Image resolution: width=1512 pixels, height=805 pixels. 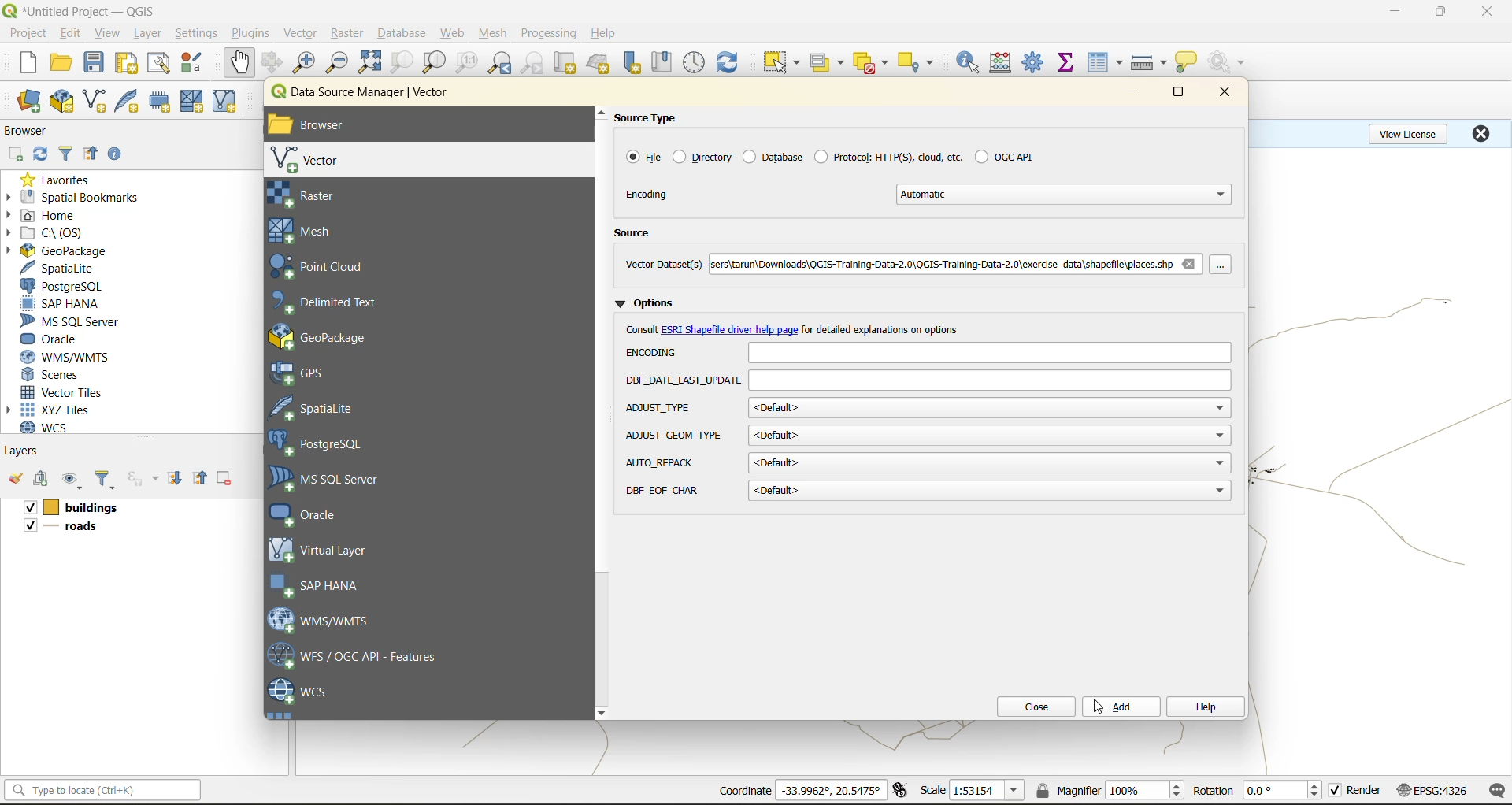 What do you see at coordinates (633, 63) in the screenshot?
I see `new spatial bookmark` at bounding box center [633, 63].